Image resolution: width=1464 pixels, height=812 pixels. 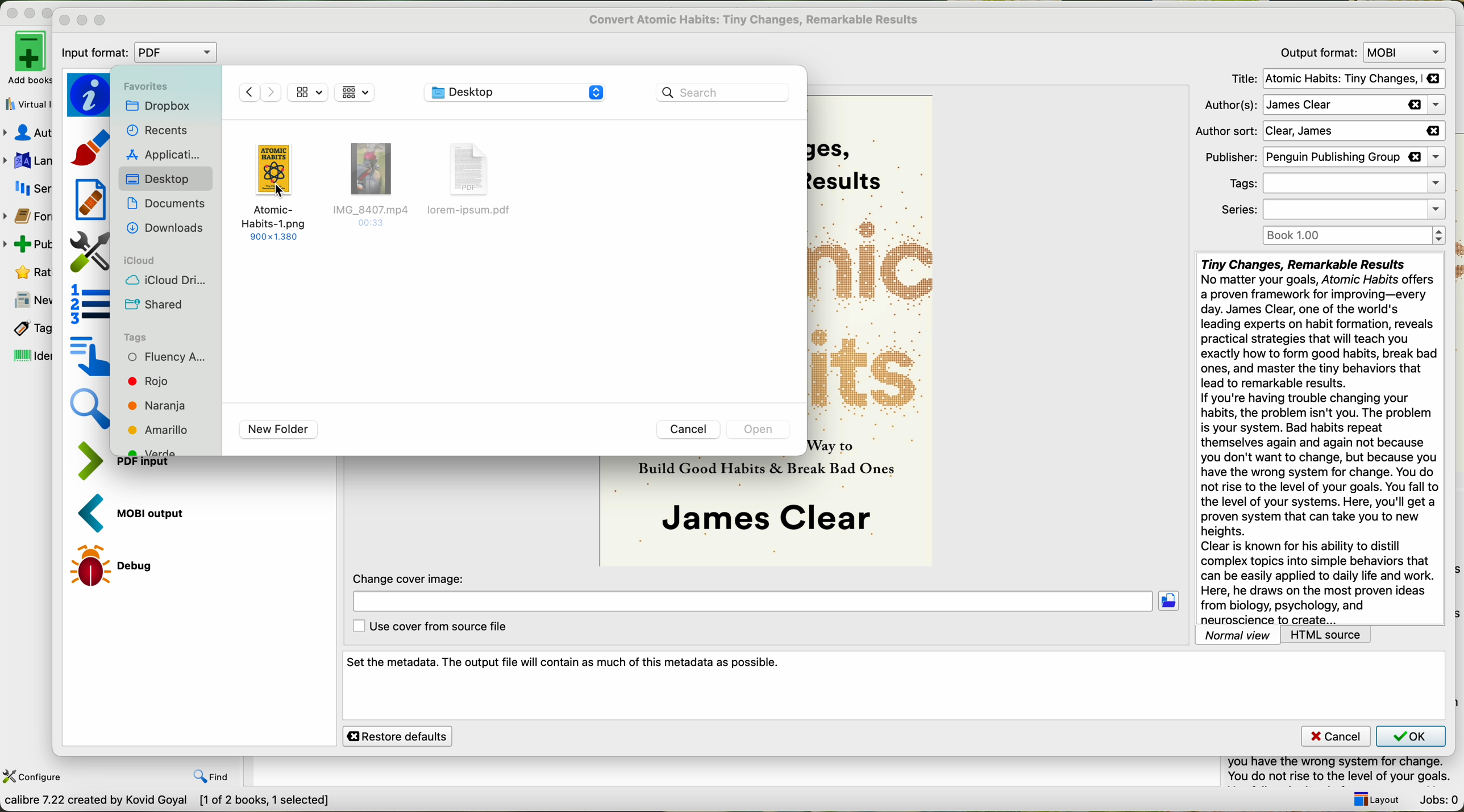 I want to click on change cover image, so click(x=411, y=578).